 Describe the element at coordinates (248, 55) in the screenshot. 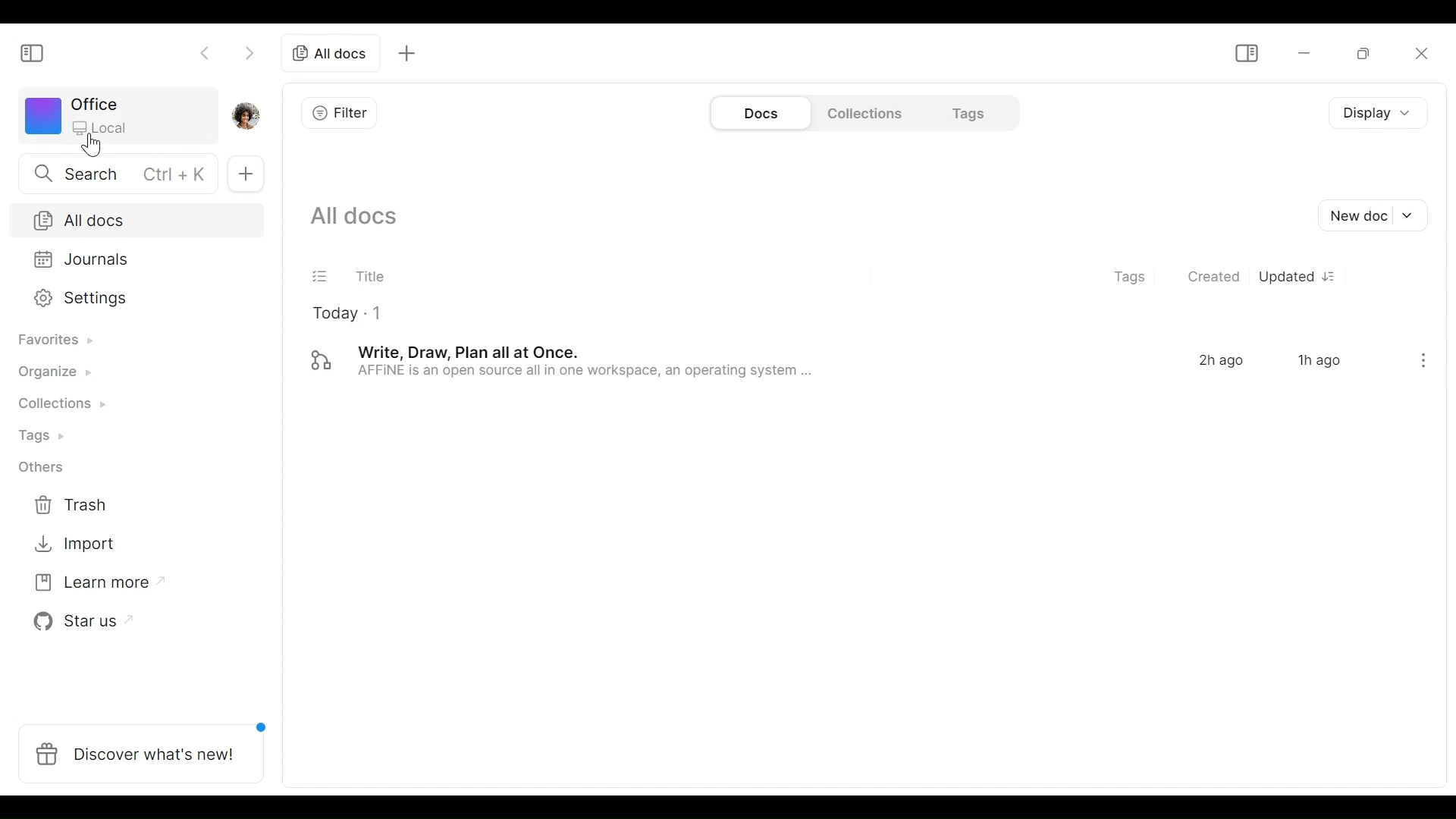

I see `Go forward` at that location.